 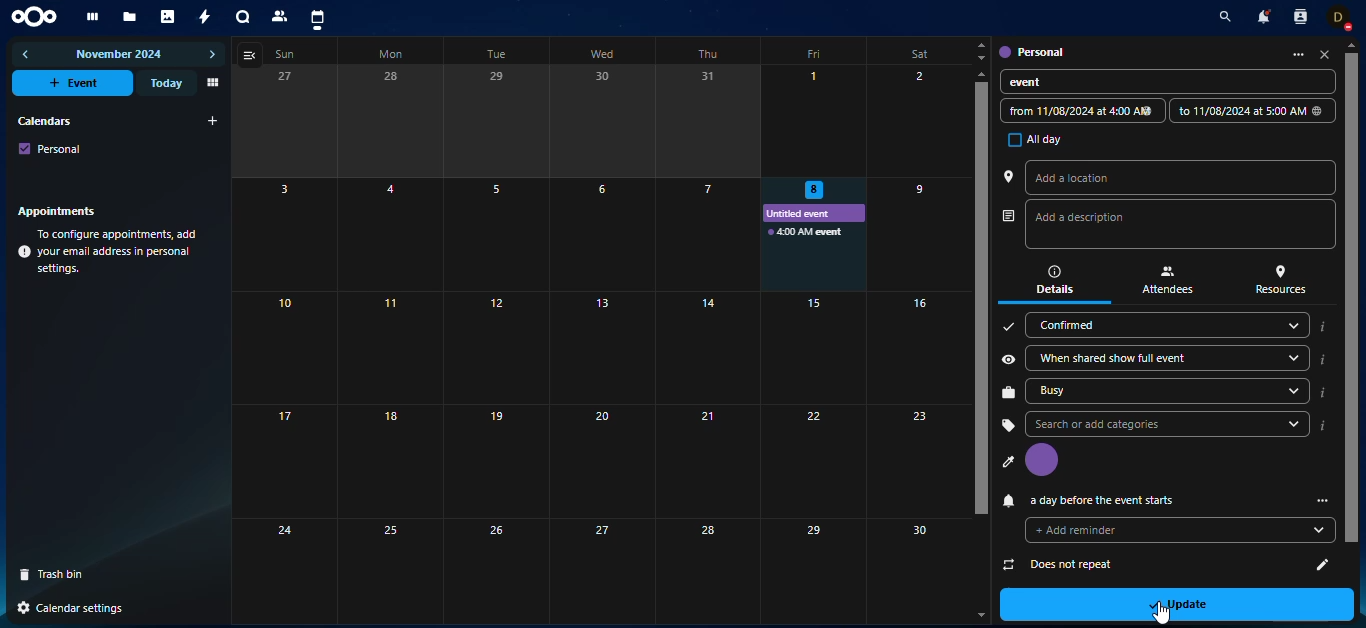 What do you see at coordinates (1167, 280) in the screenshot?
I see `attendees` at bounding box center [1167, 280].